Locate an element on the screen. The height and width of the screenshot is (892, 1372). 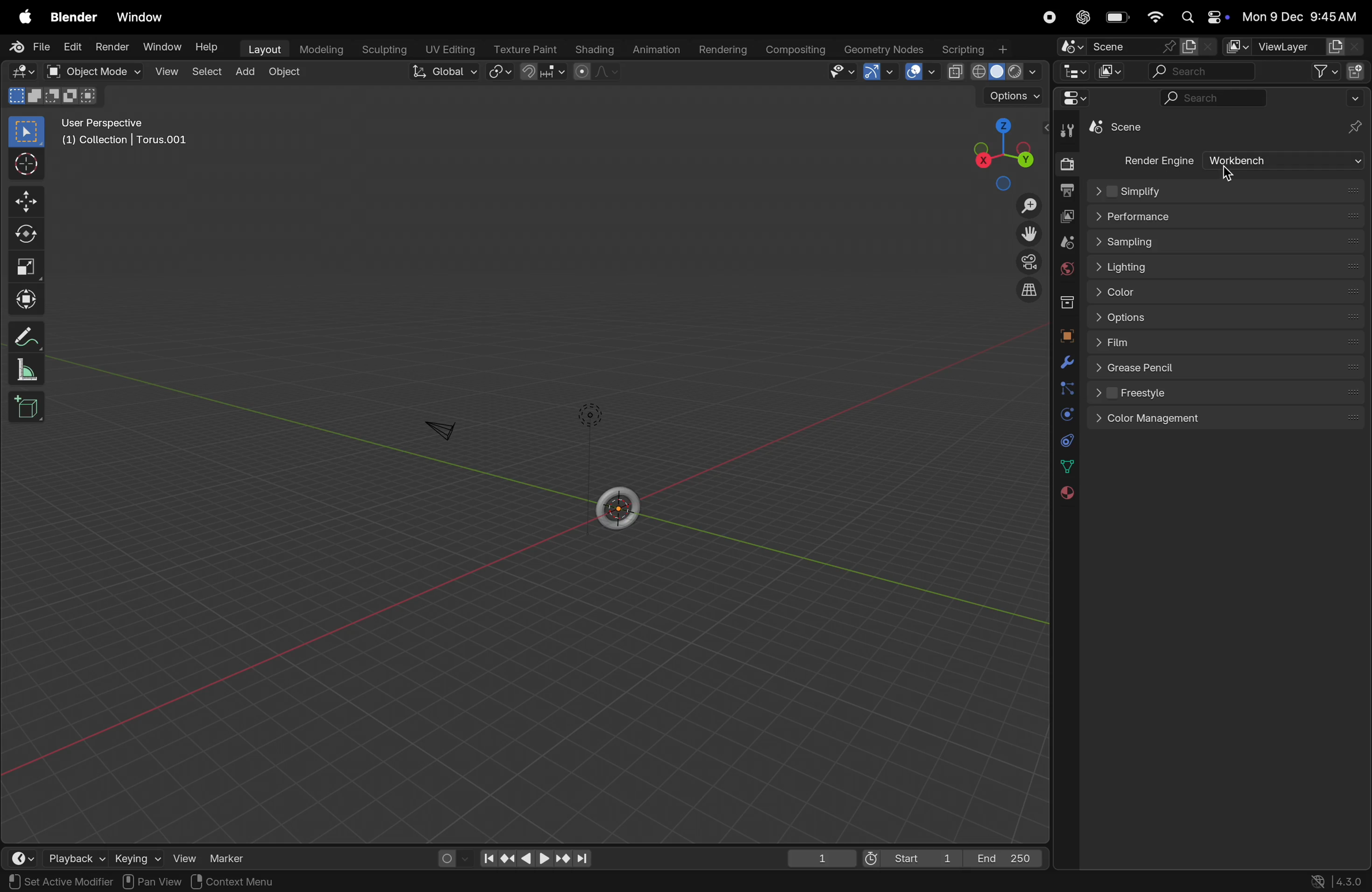
simplyfy is located at coordinates (1227, 191).